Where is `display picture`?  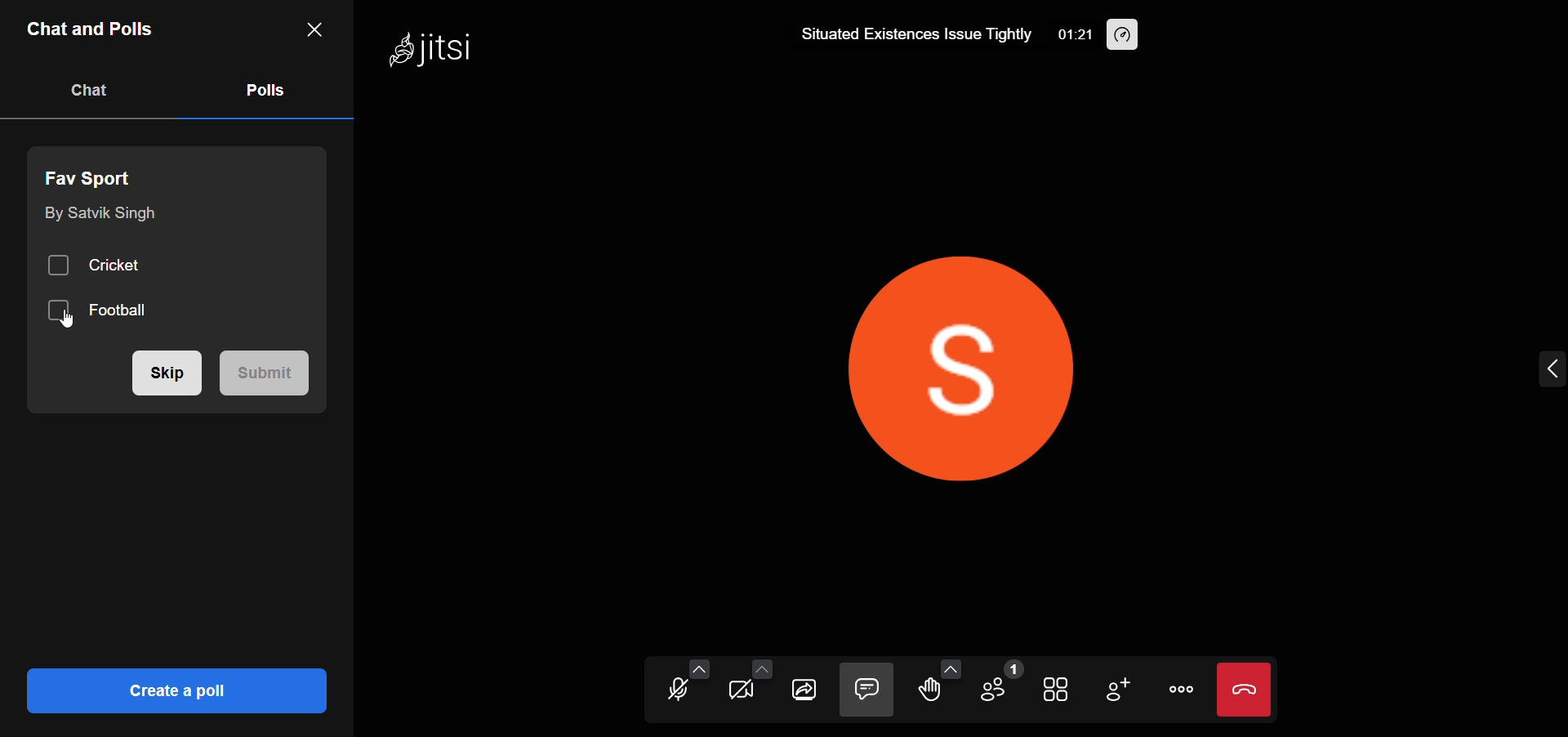 display picture is located at coordinates (1016, 361).